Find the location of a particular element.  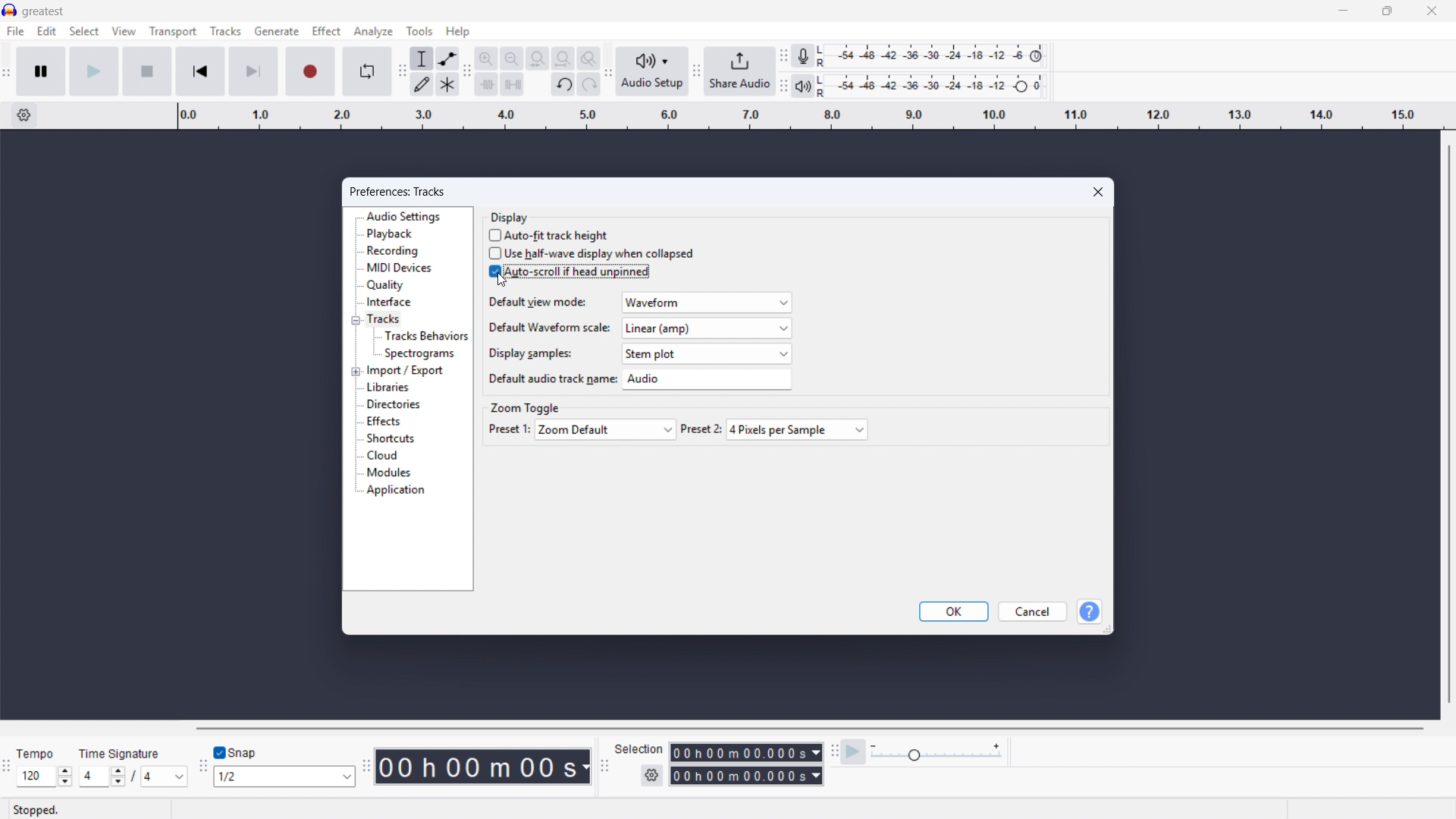

Maximise  is located at coordinates (1387, 11).